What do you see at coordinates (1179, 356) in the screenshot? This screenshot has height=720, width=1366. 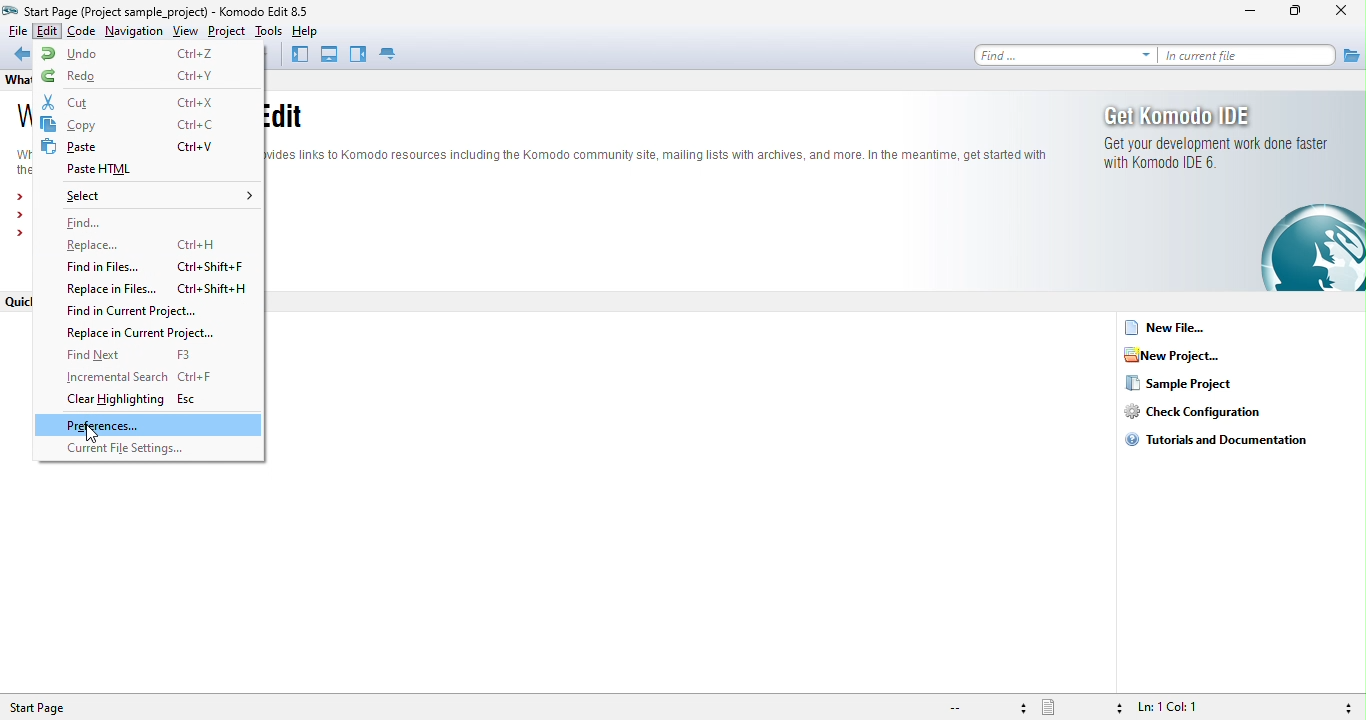 I see `new project` at bounding box center [1179, 356].